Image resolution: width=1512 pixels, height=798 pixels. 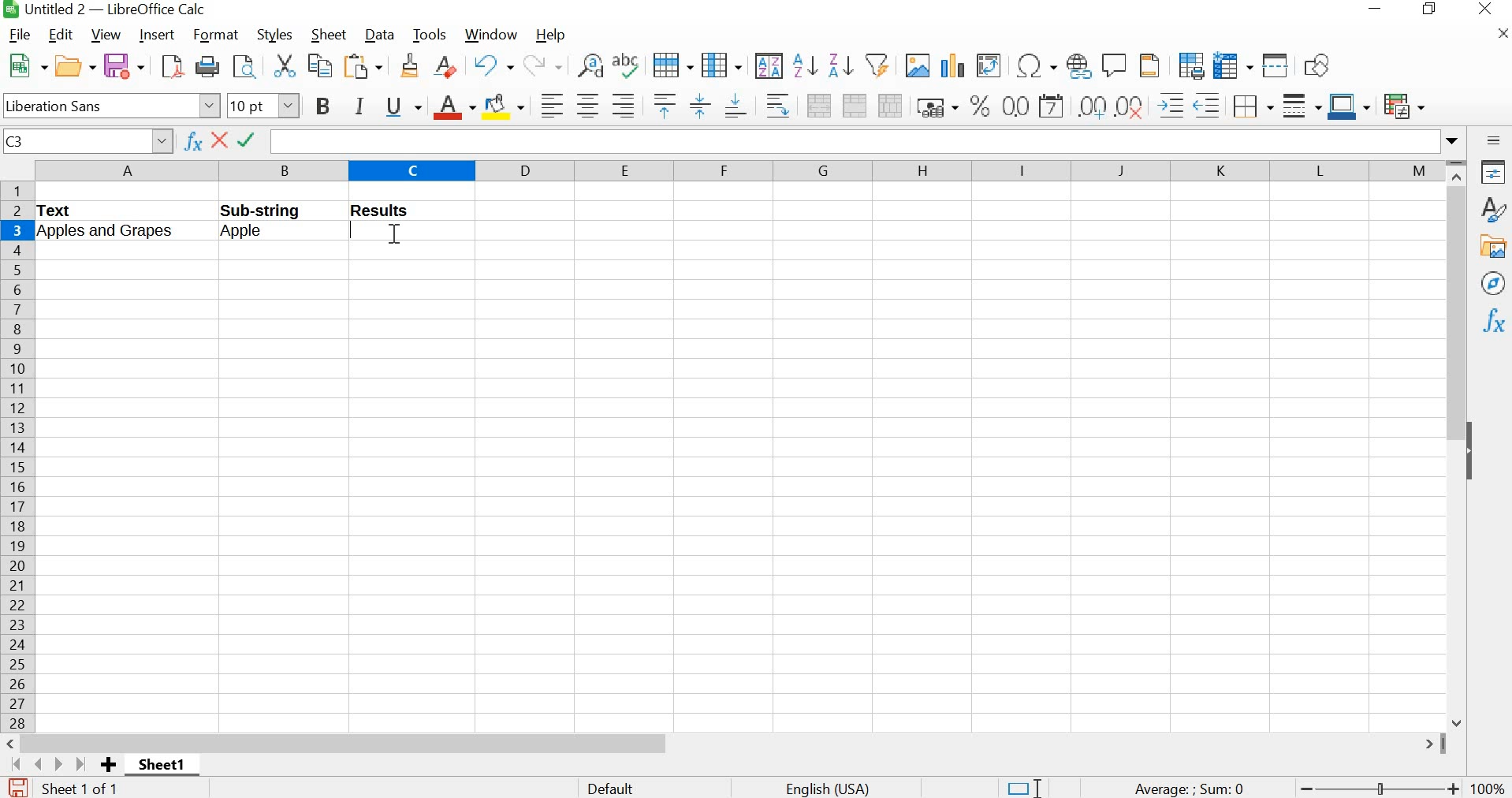 What do you see at coordinates (698, 106) in the screenshot?
I see `center vertically` at bounding box center [698, 106].